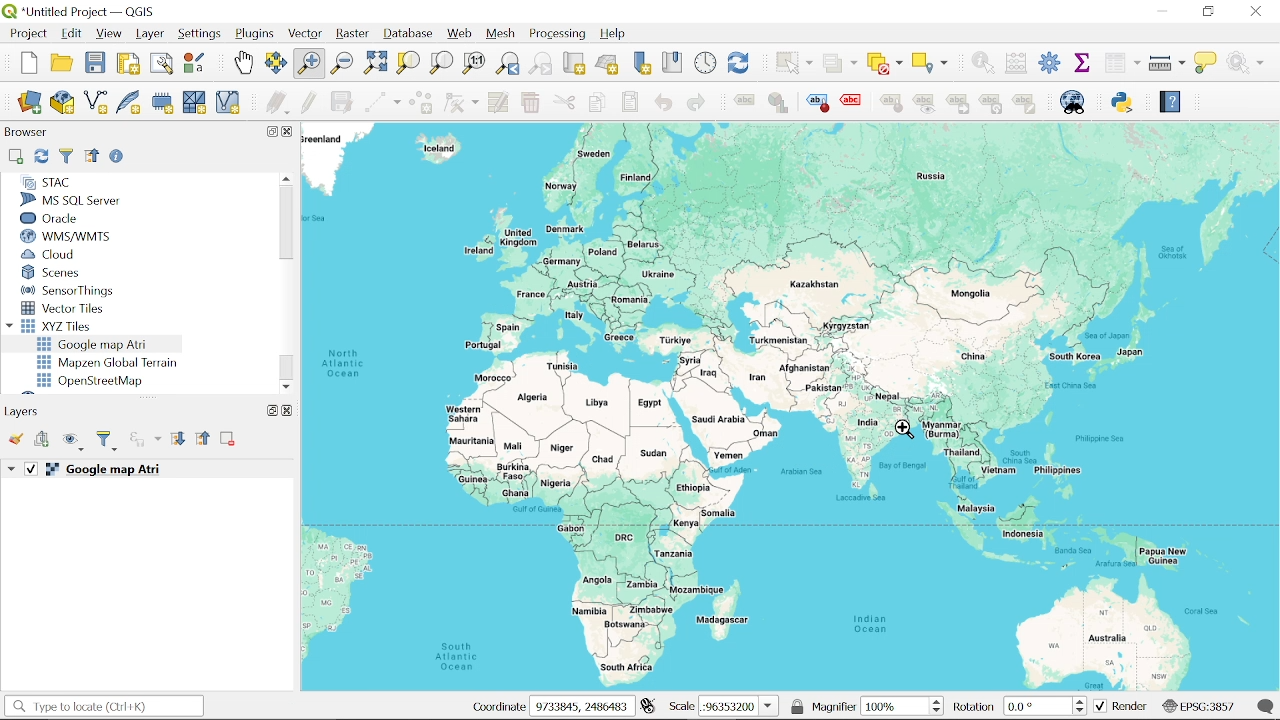 The width and height of the screenshot is (1280, 720). Describe the element at coordinates (957, 107) in the screenshot. I see `Move a label, diagrams or callout` at that location.